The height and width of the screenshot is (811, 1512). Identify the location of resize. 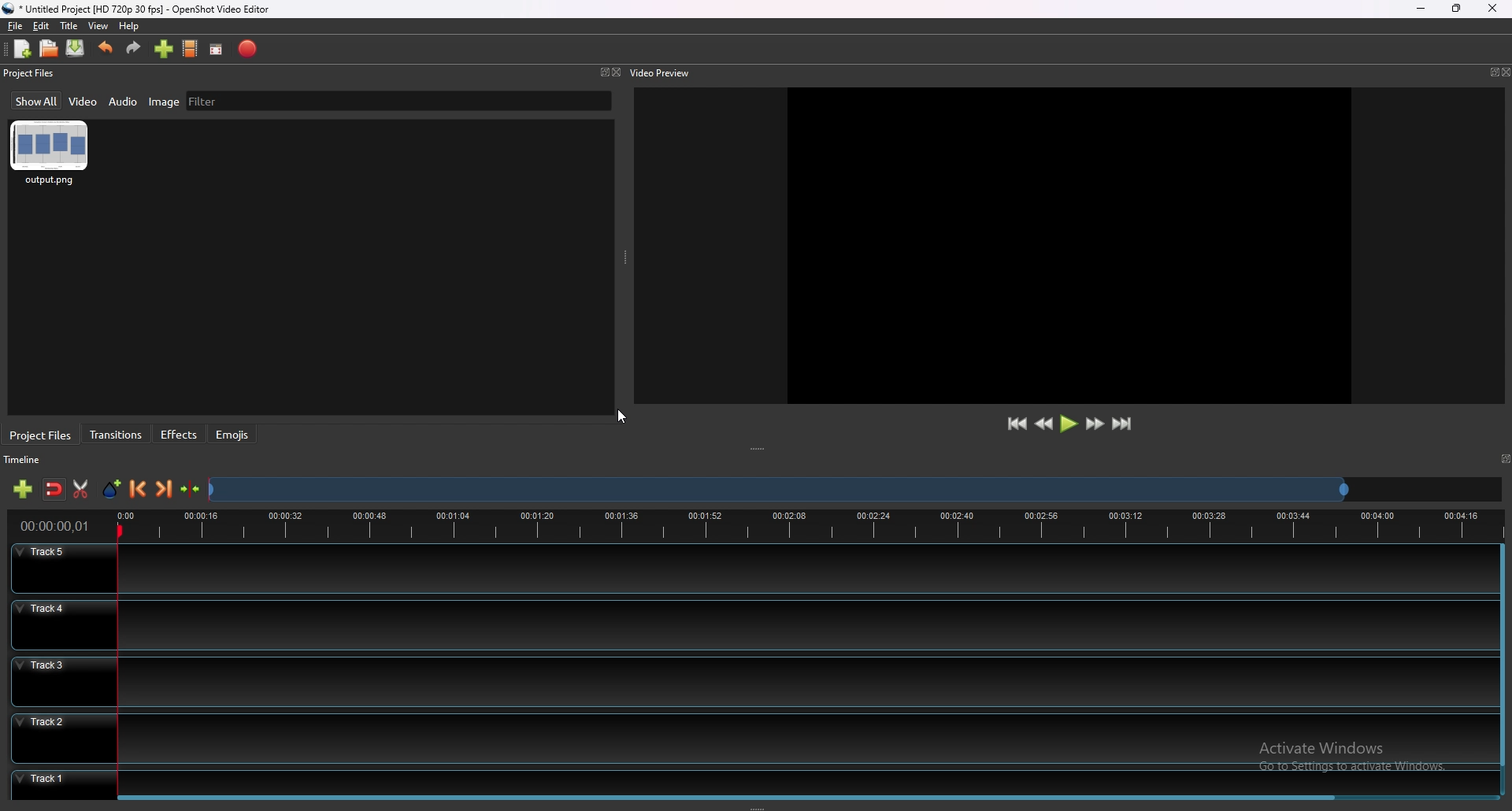
(1457, 8).